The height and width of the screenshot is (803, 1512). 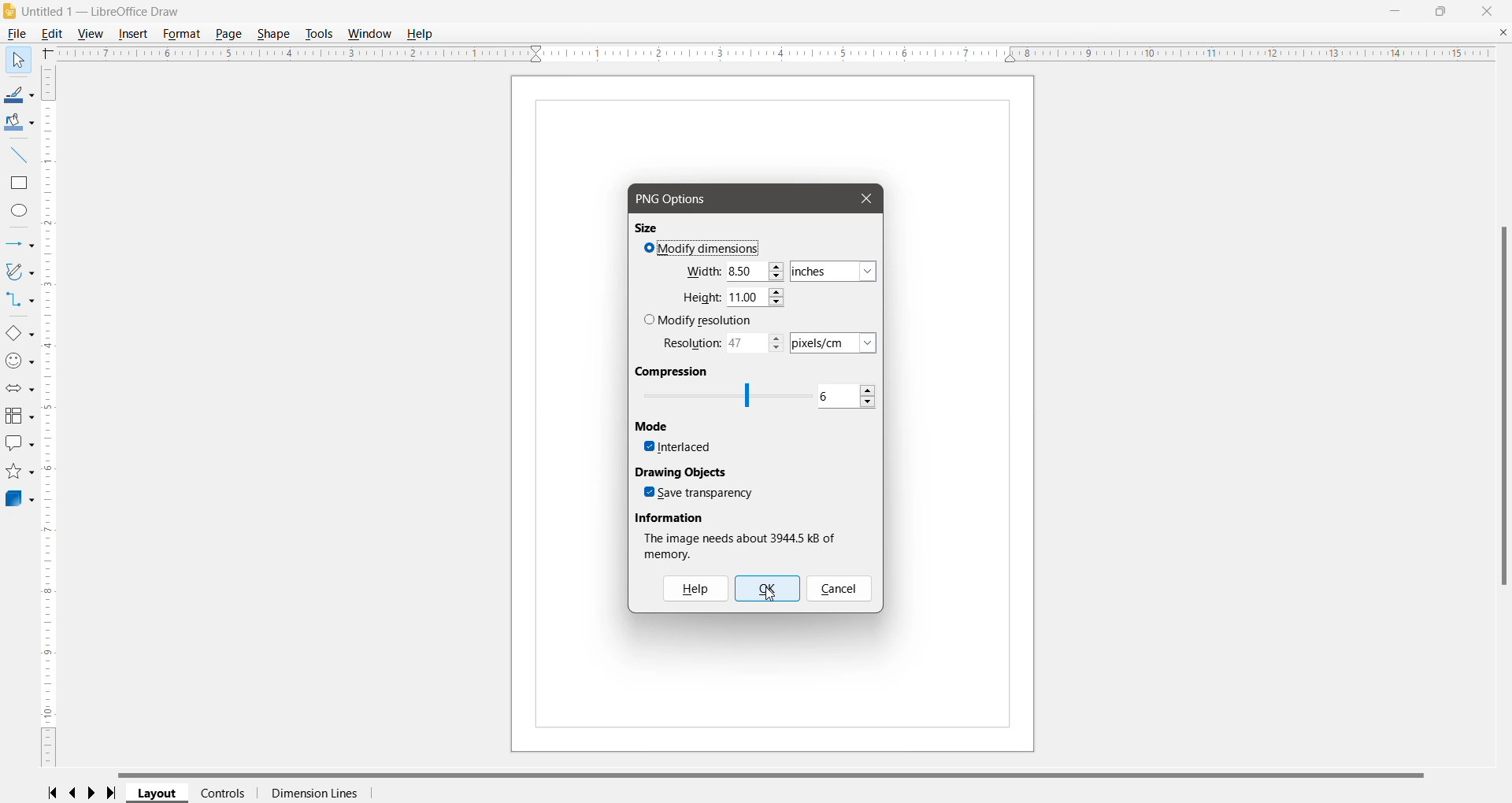 I want to click on Cancel, so click(x=842, y=589).